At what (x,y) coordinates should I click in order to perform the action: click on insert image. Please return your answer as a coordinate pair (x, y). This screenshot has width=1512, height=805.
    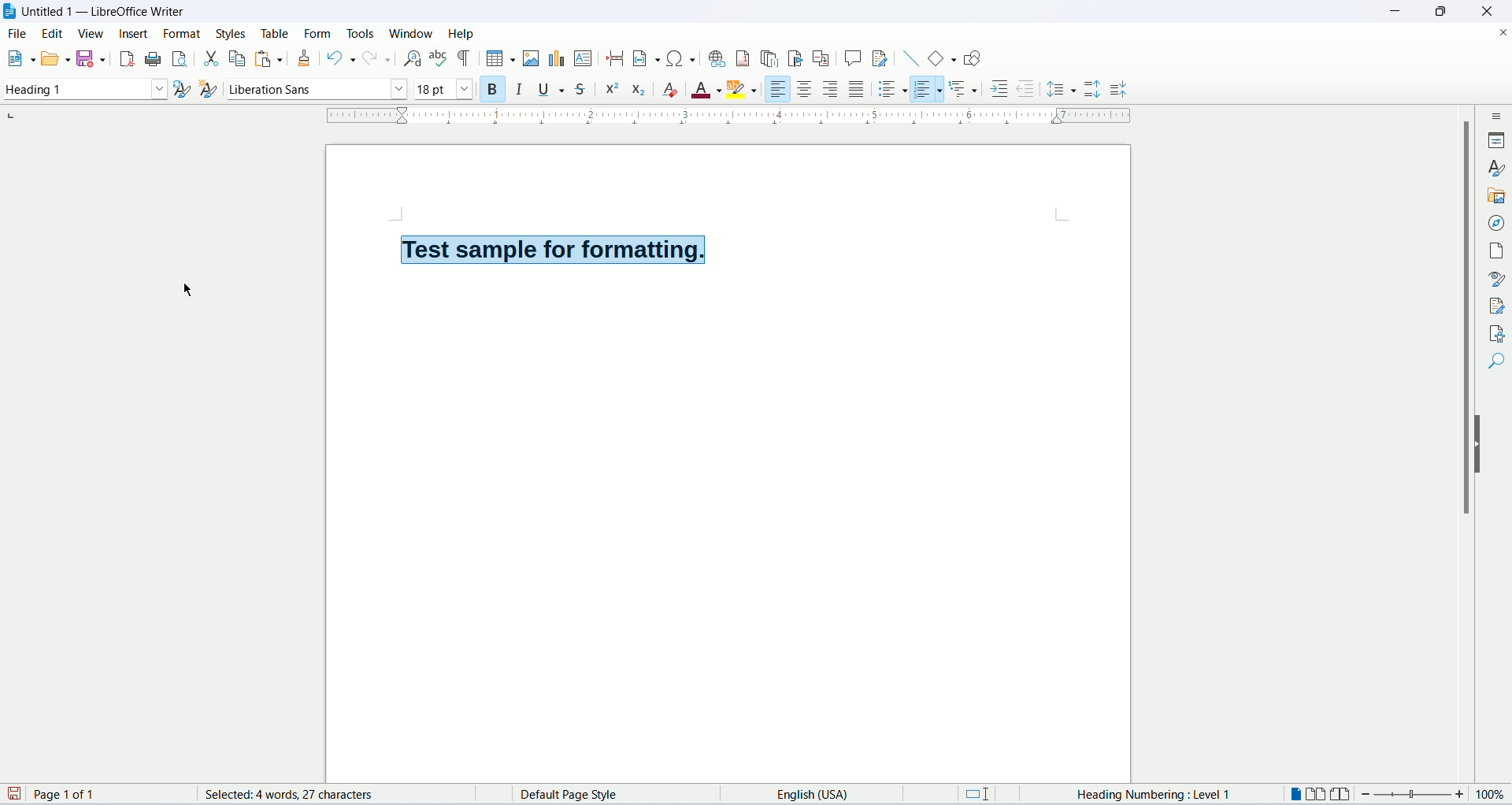
    Looking at the image, I should click on (530, 58).